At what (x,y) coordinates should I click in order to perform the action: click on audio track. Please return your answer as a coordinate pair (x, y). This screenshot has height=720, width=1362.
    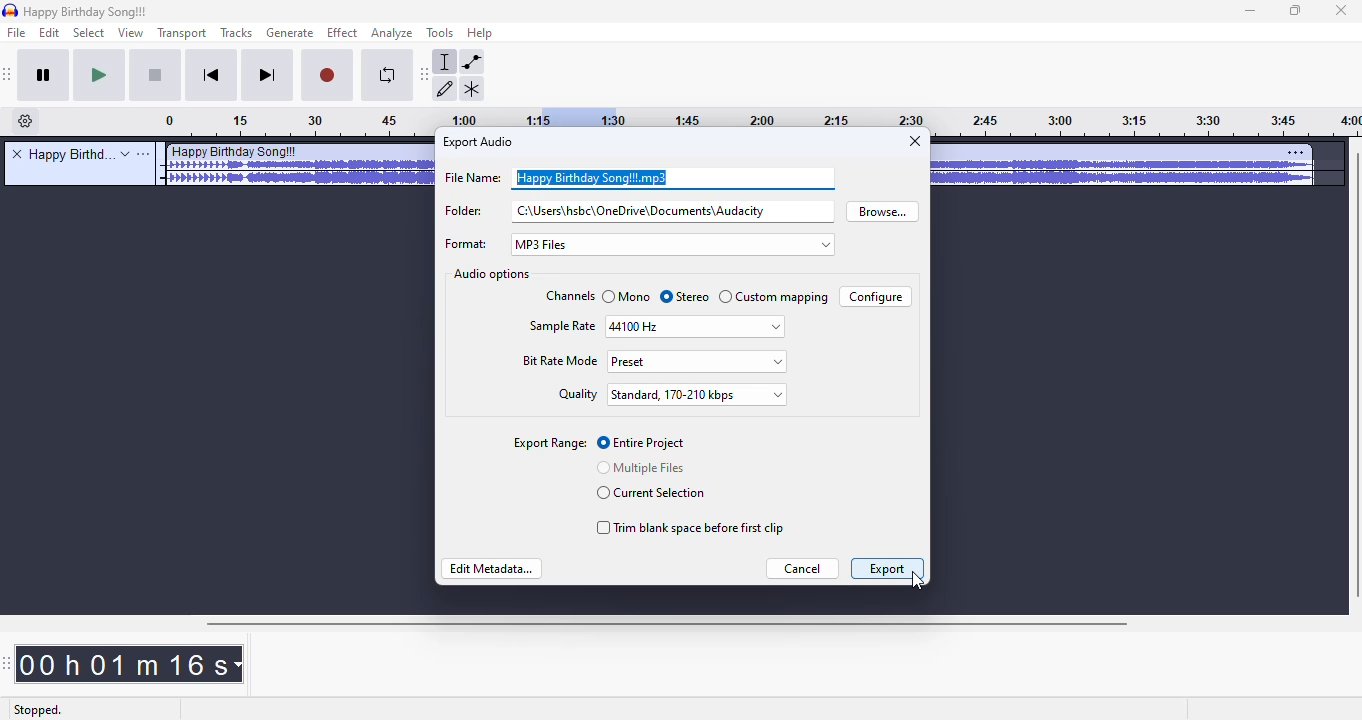
    Looking at the image, I should click on (1127, 166).